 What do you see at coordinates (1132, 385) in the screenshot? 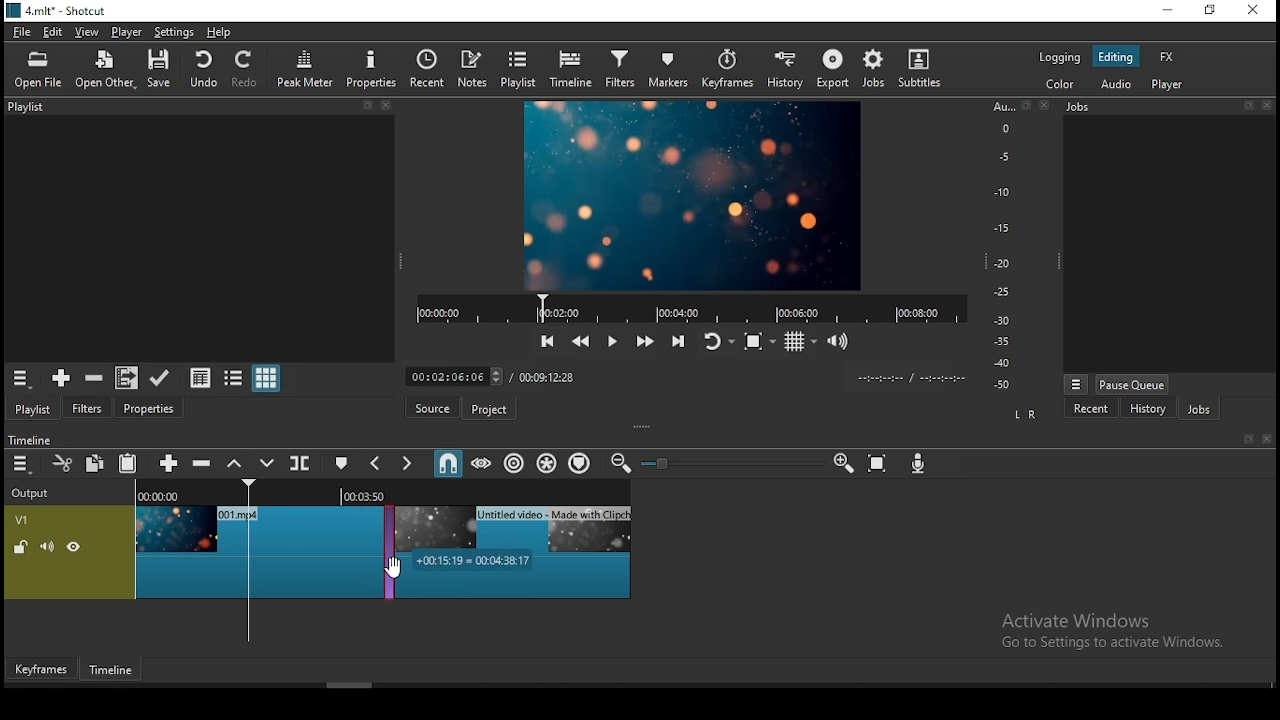
I see `pause queue` at bounding box center [1132, 385].